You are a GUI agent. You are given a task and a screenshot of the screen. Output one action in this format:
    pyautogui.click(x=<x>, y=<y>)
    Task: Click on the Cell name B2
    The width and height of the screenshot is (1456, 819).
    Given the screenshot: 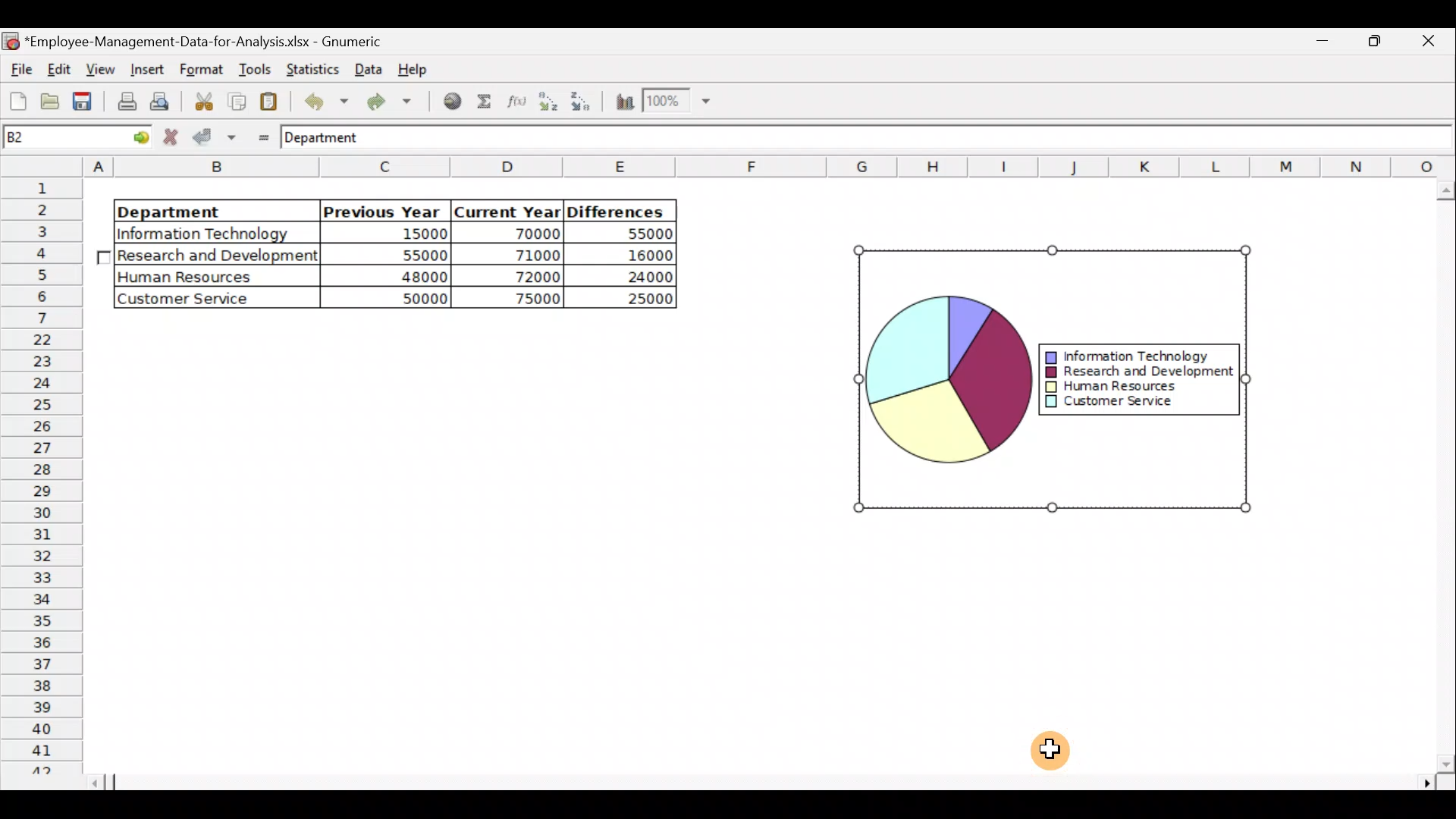 What is the action you would take?
    pyautogui.click(x=51, y=139)
    